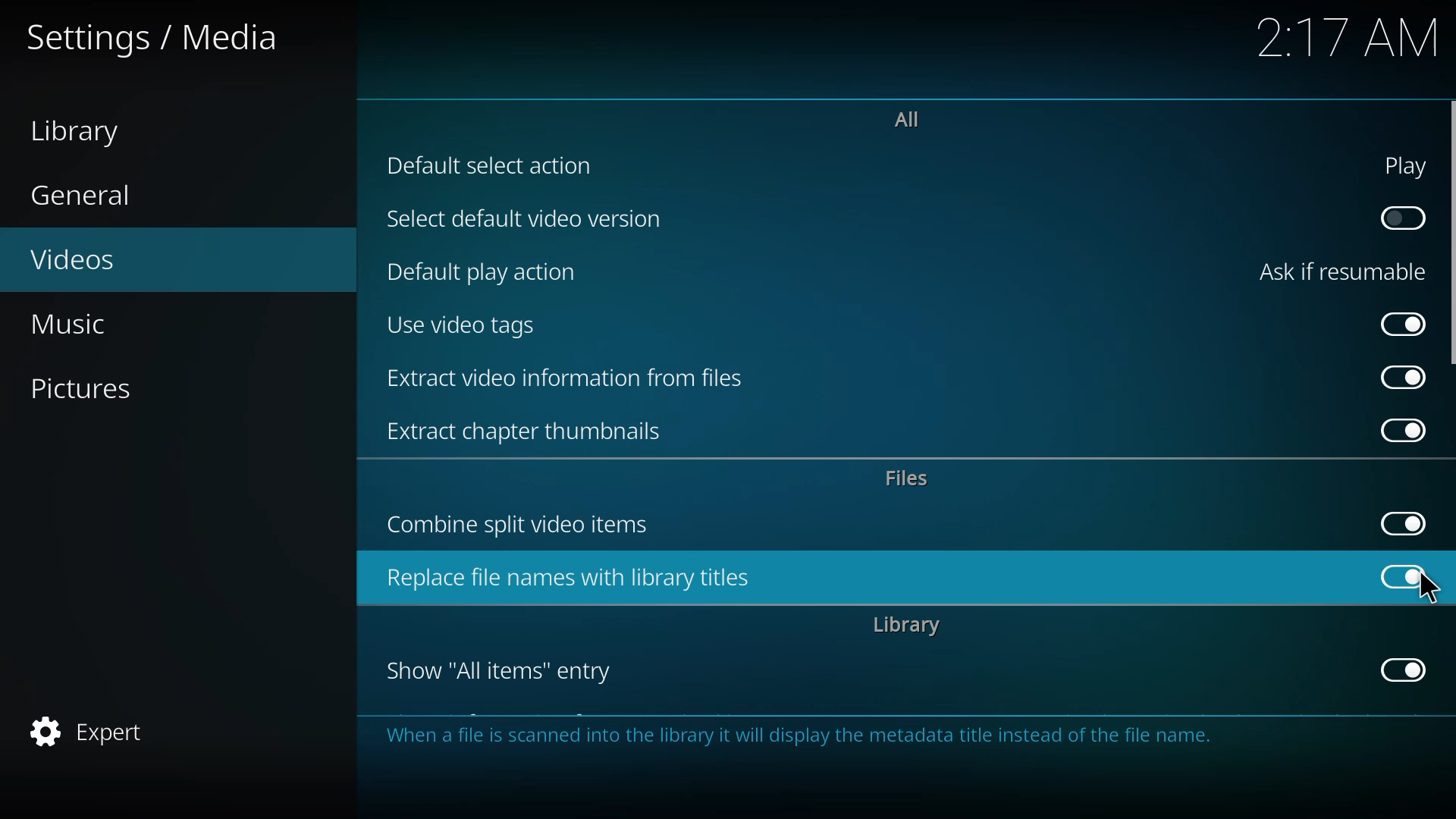 The image size is (1456, 819). What do you see at coordinates (1398, 377) in the screenshot?
I see `enabled` at bounding box center [1398, 377].